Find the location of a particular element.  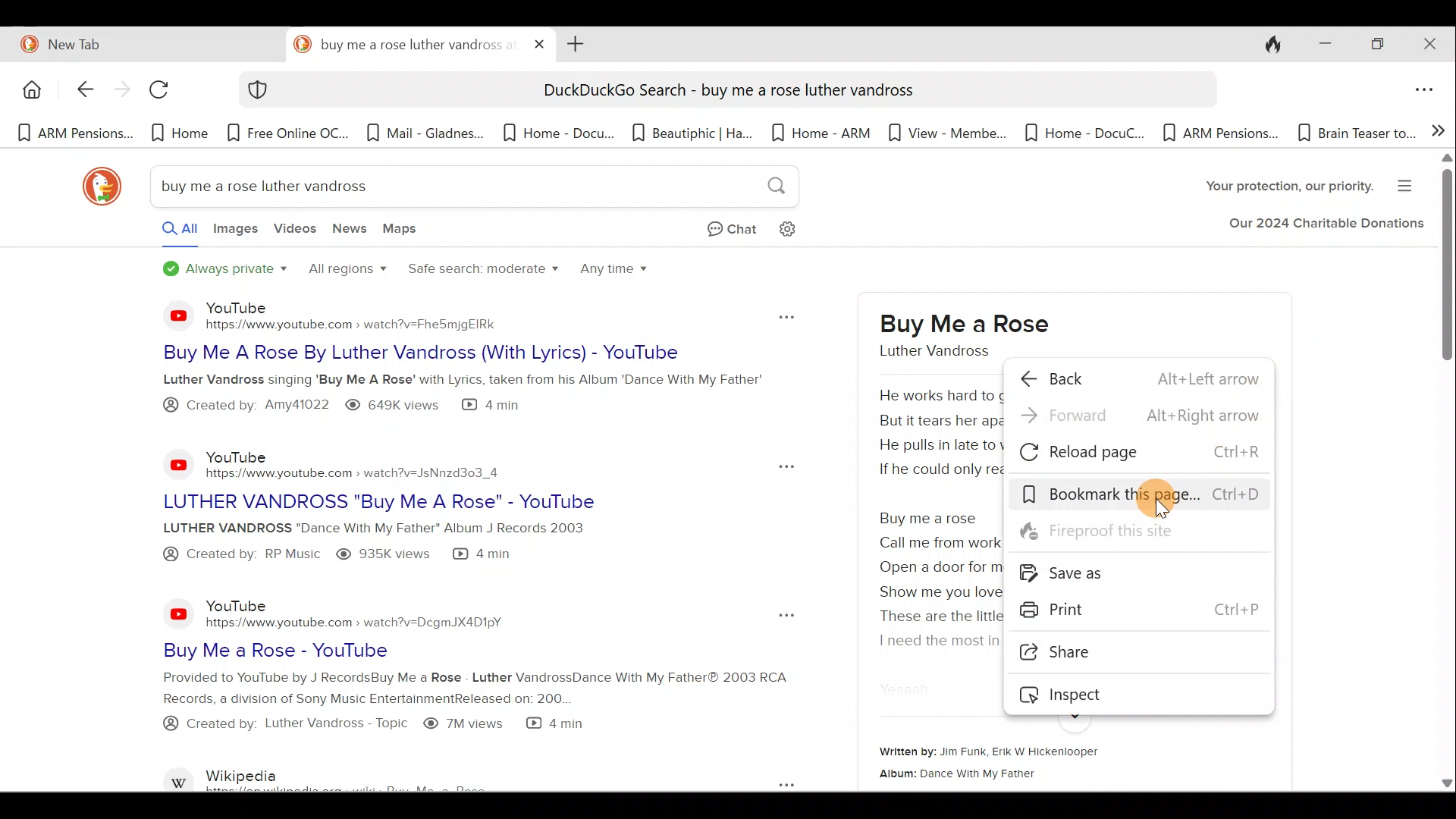

Your protection, our charity is located at coordinates (1276, 188).